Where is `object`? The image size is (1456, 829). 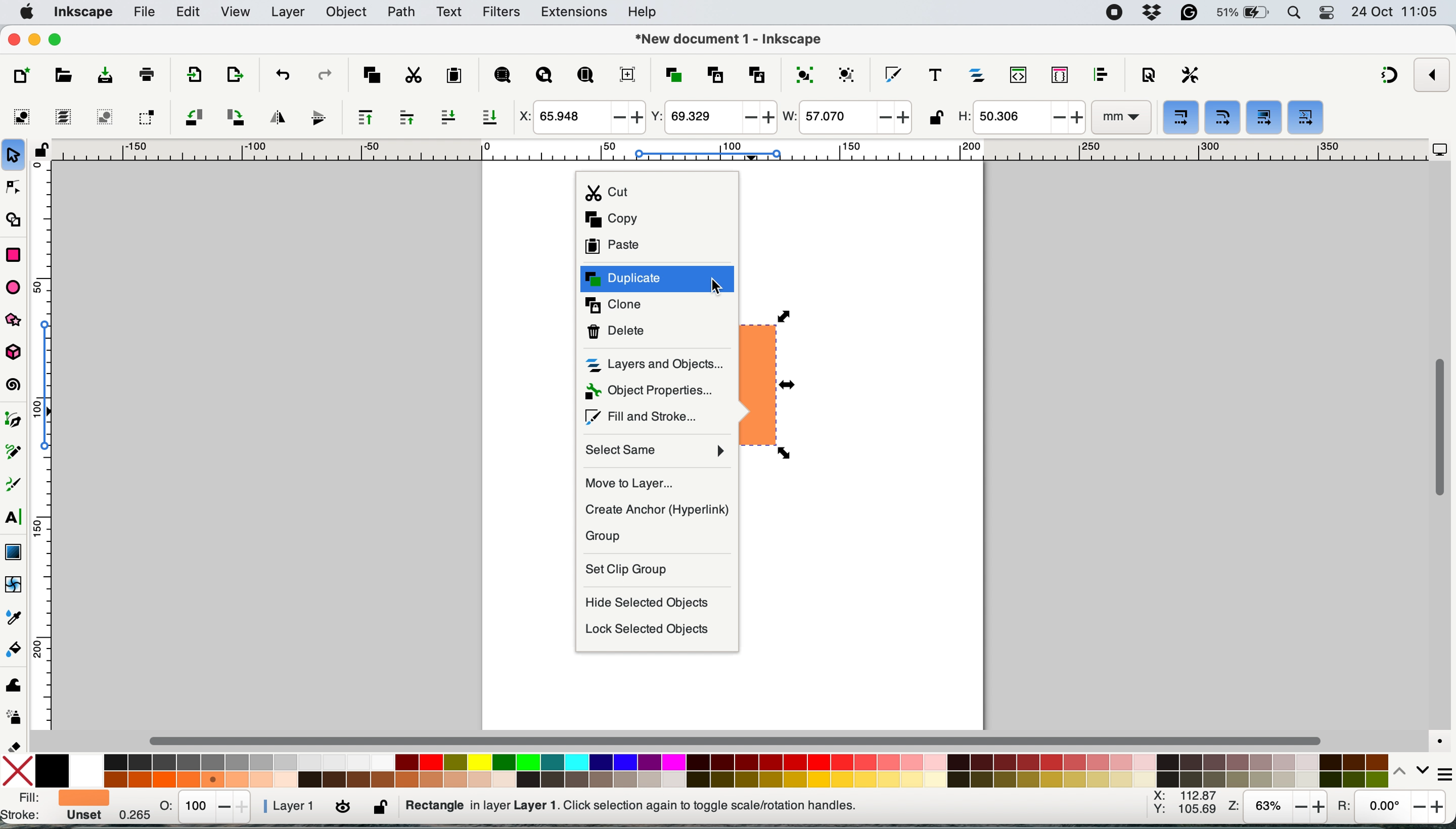
object is located at coordinates (349, 12).